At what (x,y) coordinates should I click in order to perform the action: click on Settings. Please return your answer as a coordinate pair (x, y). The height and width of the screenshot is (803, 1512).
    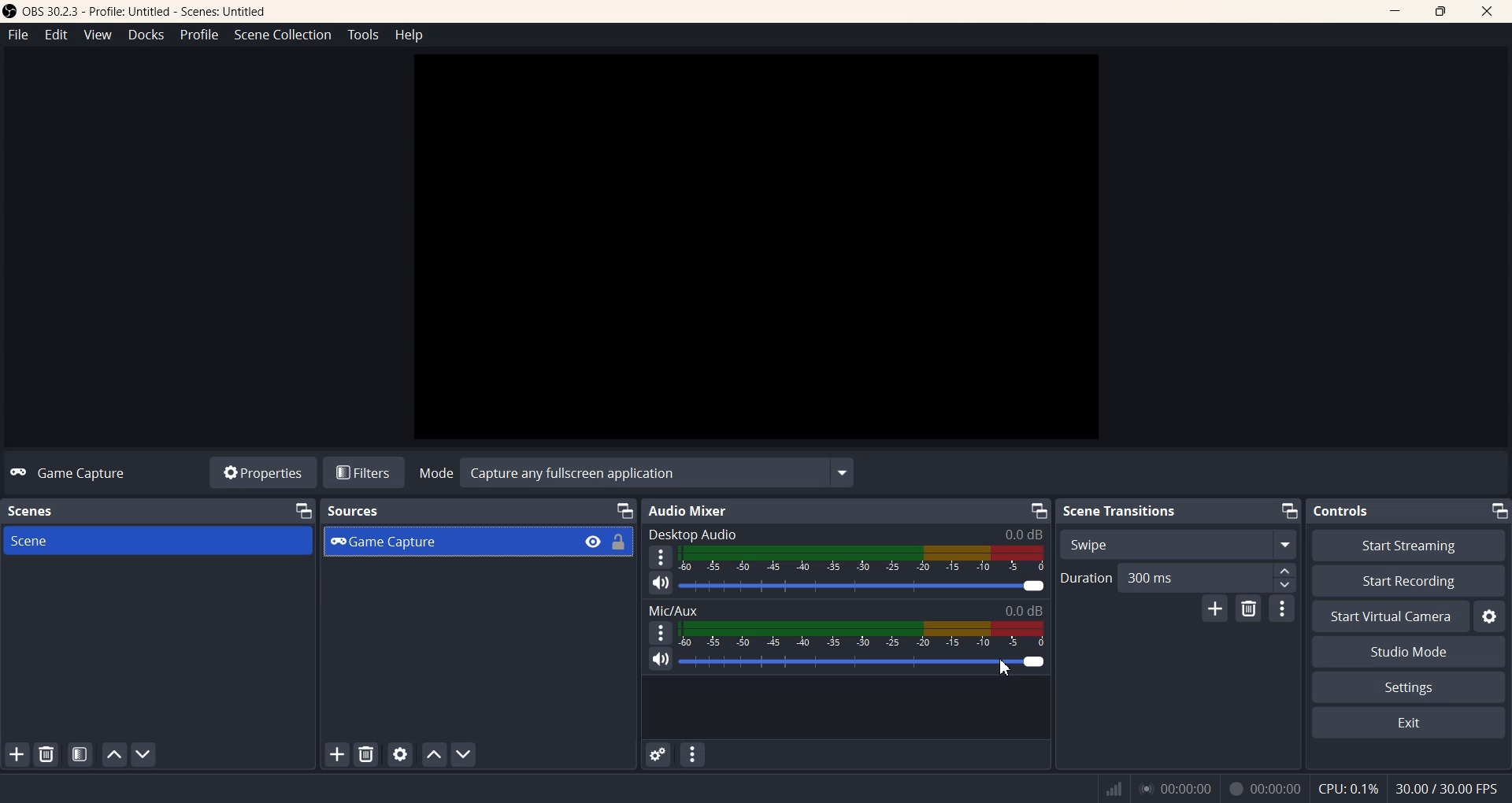
    Looking at the image, I should click on (1490, 616).